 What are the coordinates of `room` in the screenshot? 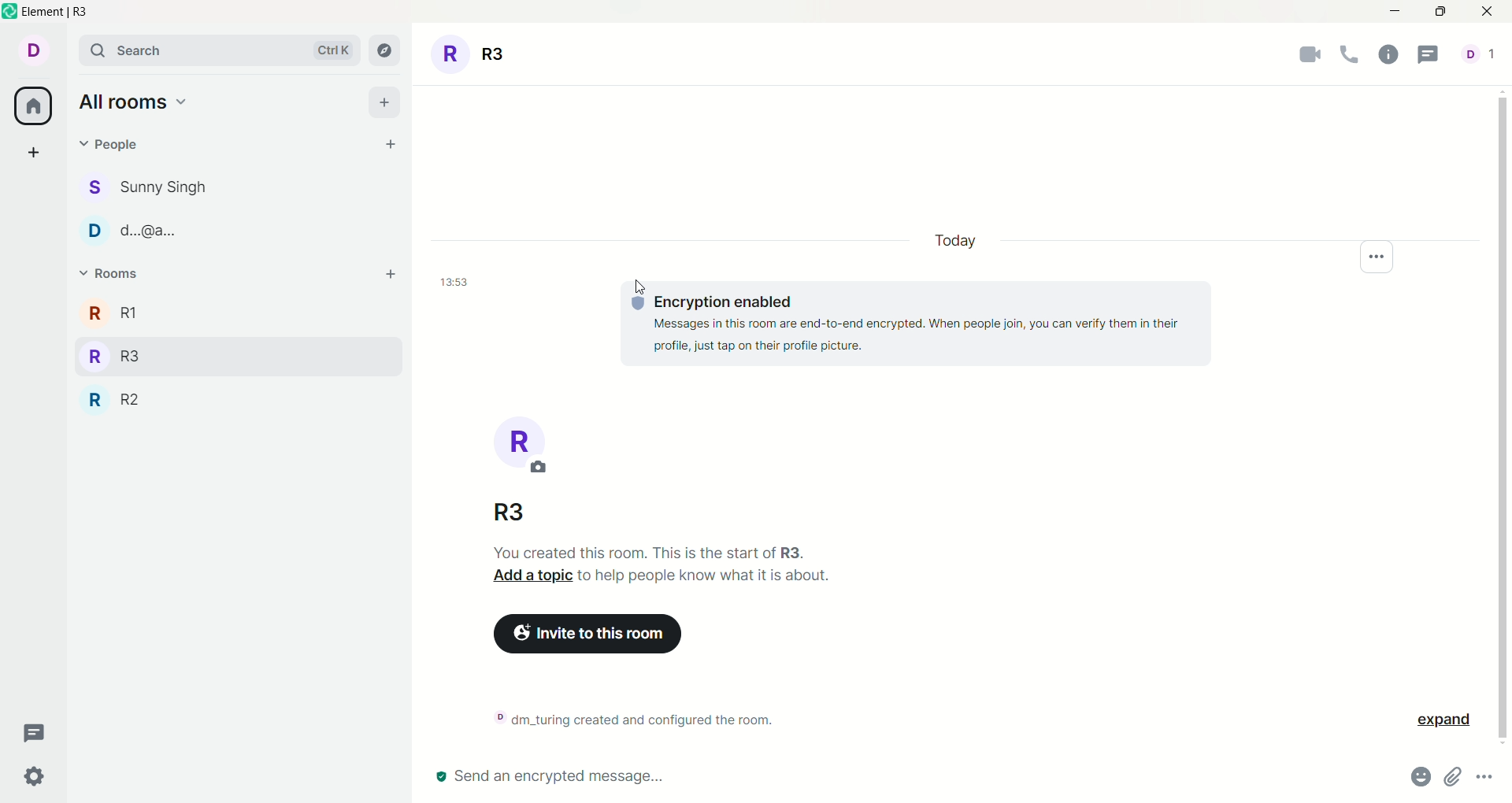 It's located at (509, 446).